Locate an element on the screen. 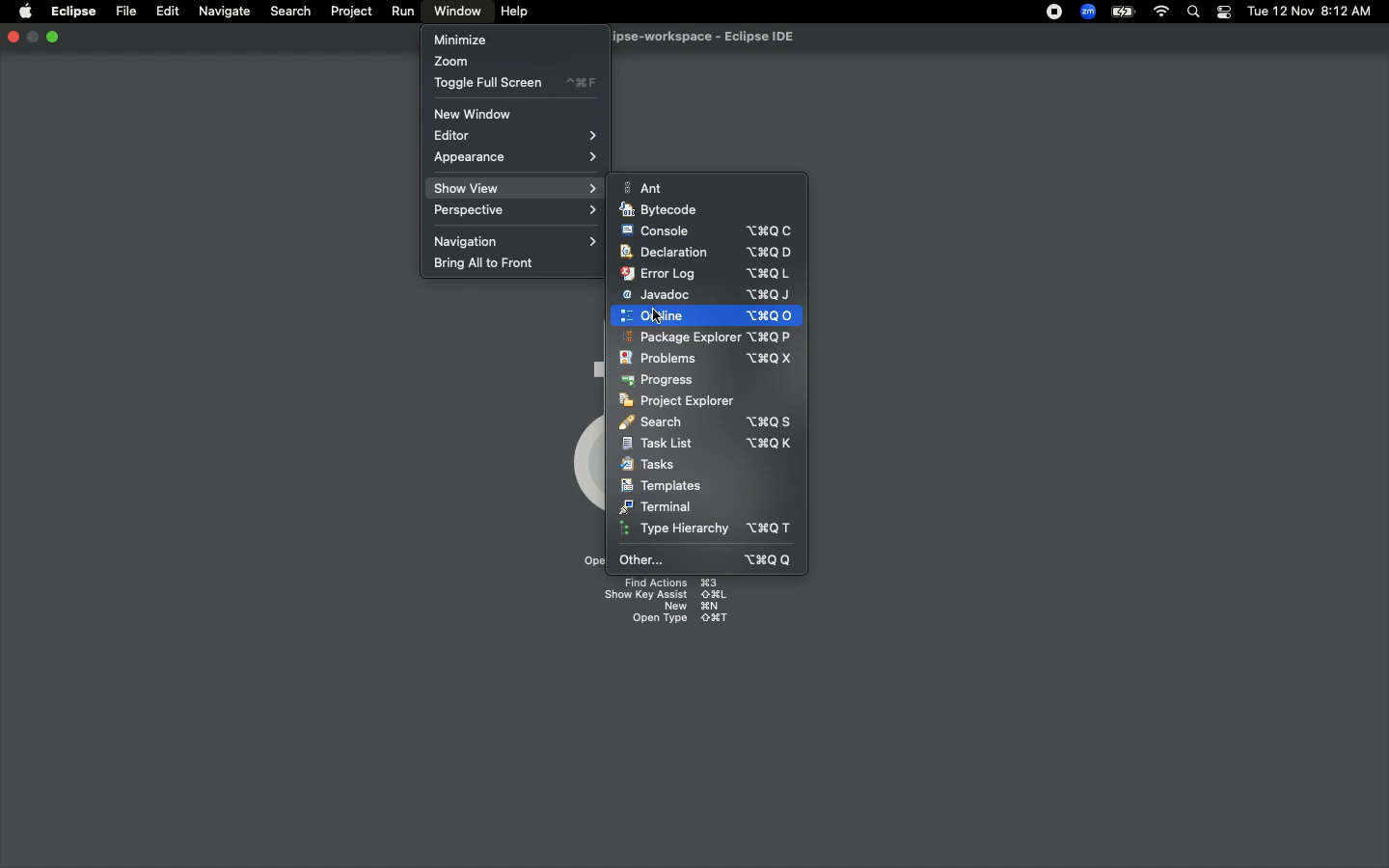 This screenshot has height=868, width=1389. Internet is located at coordinates (1159, 13).